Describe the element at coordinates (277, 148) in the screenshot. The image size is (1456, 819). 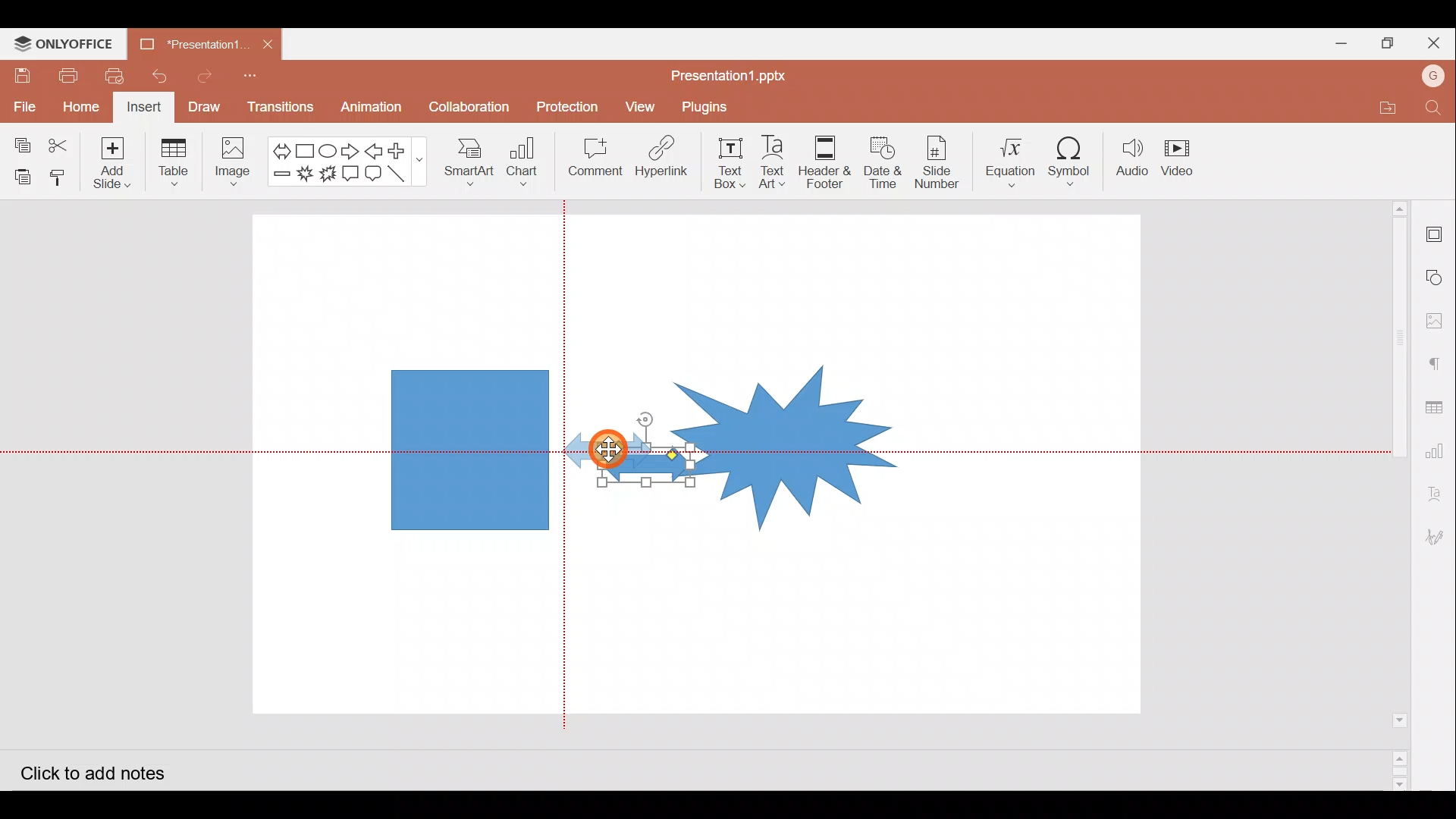
I see `Left right arrow` at that location.